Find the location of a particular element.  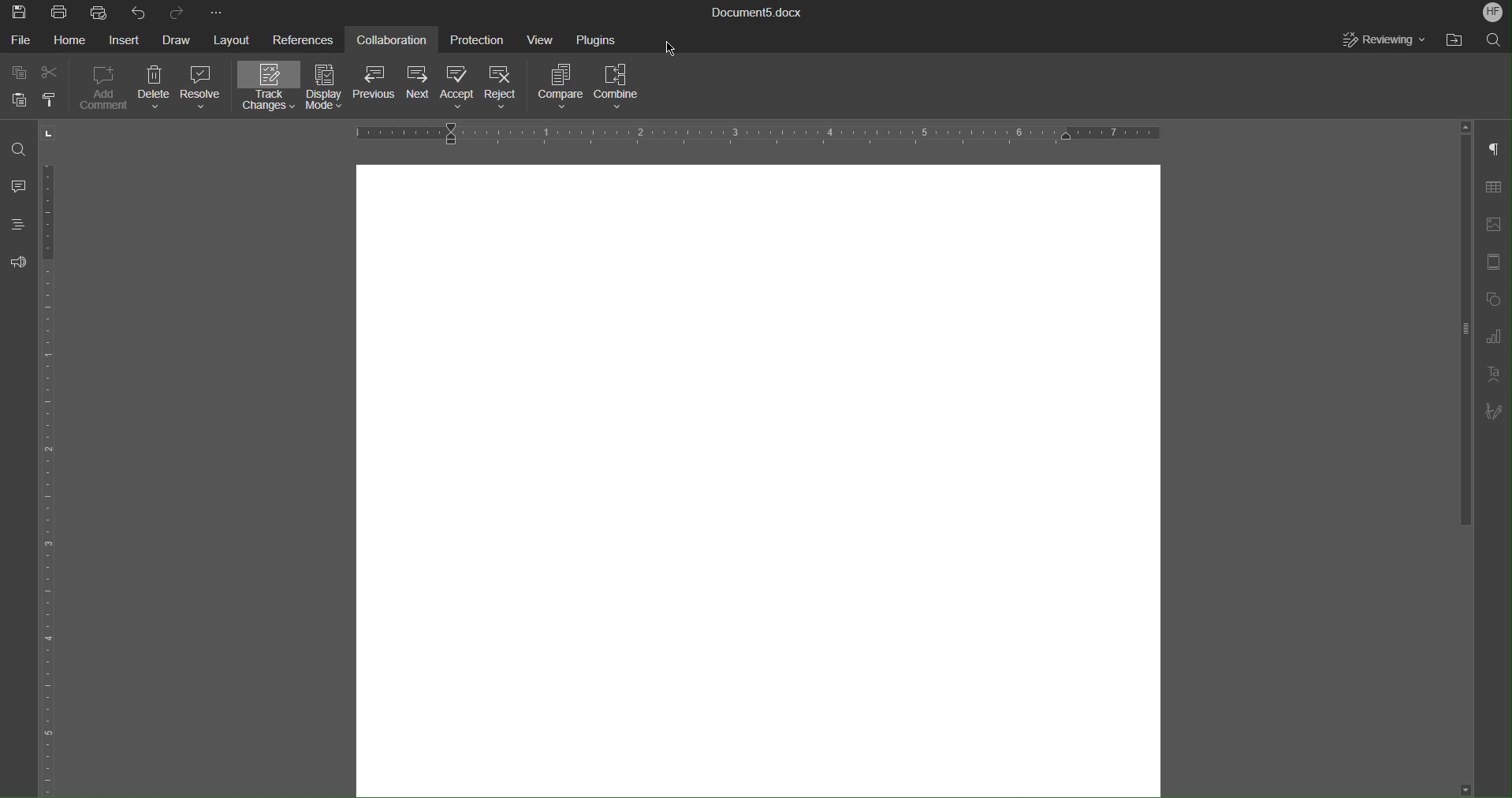

Resolve is located at coordinates (203, 93).